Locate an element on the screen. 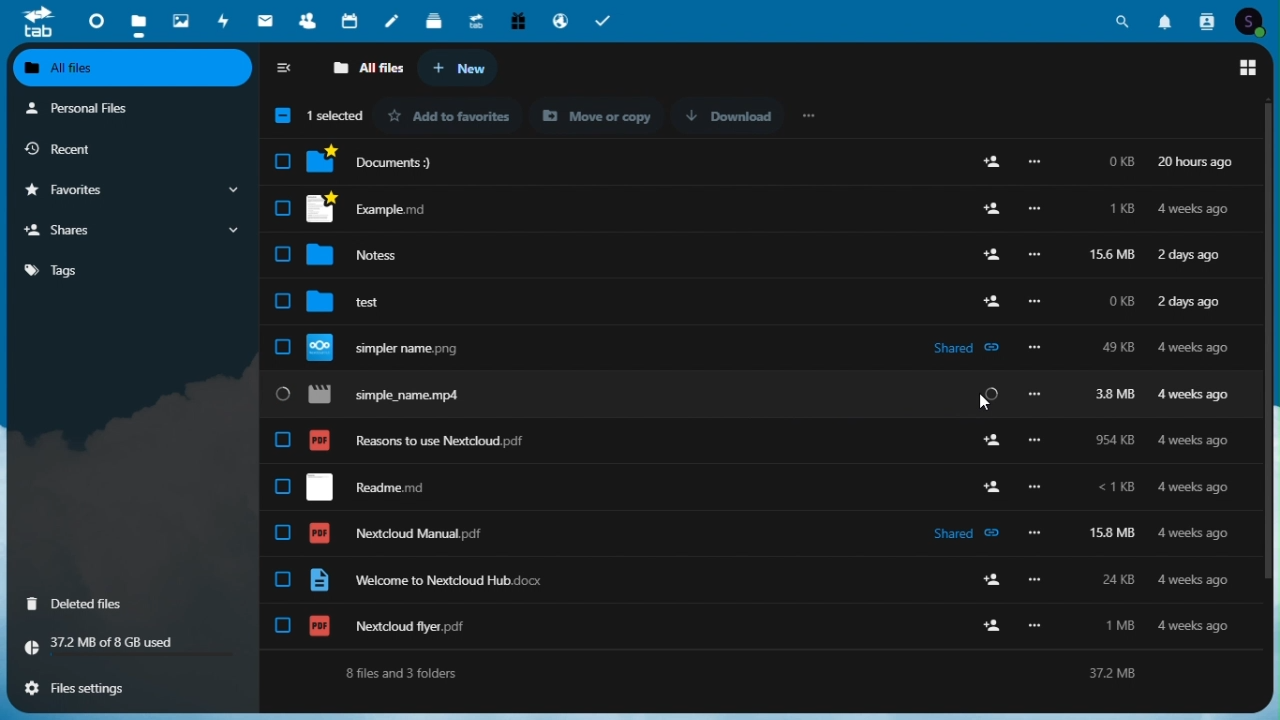 This screenshot has width=1280, height=720. Notebook flyer is located at coordinates (745, 626).